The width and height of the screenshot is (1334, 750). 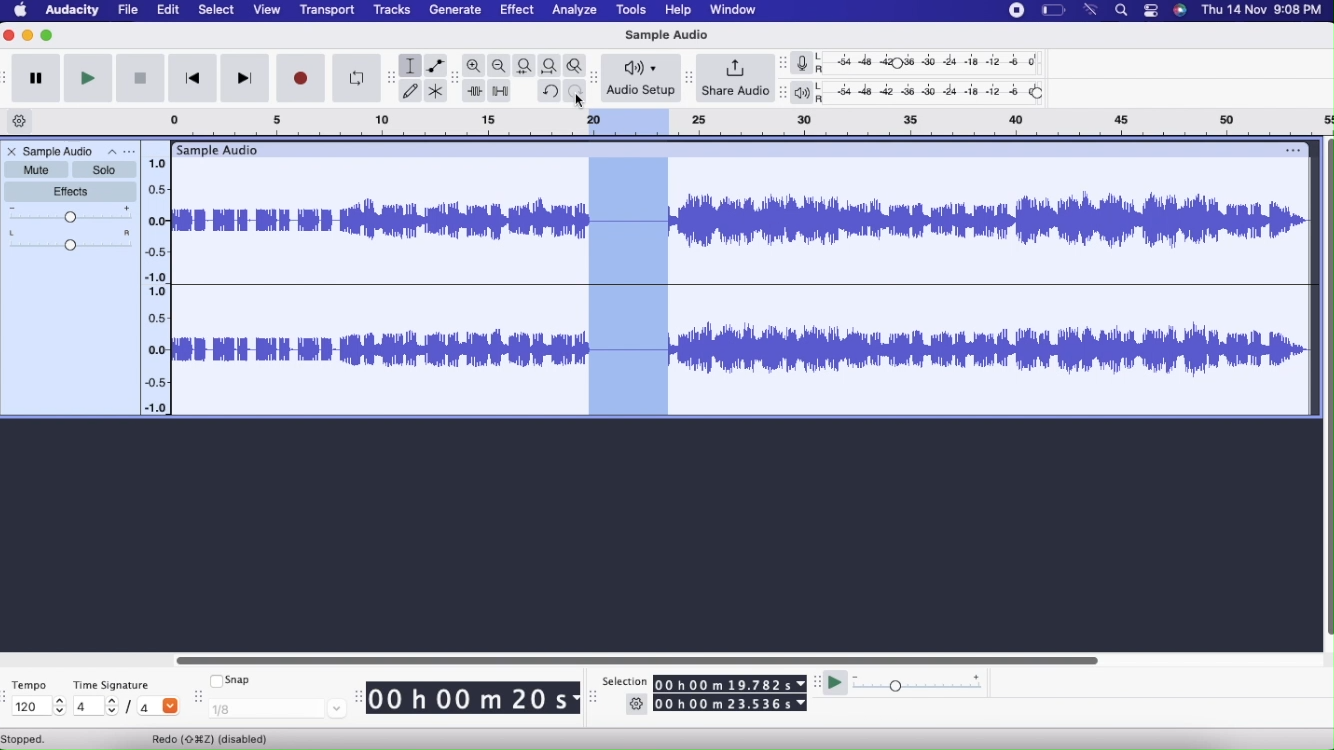 I want to click on Enable looping, so click(x=358, y=77).